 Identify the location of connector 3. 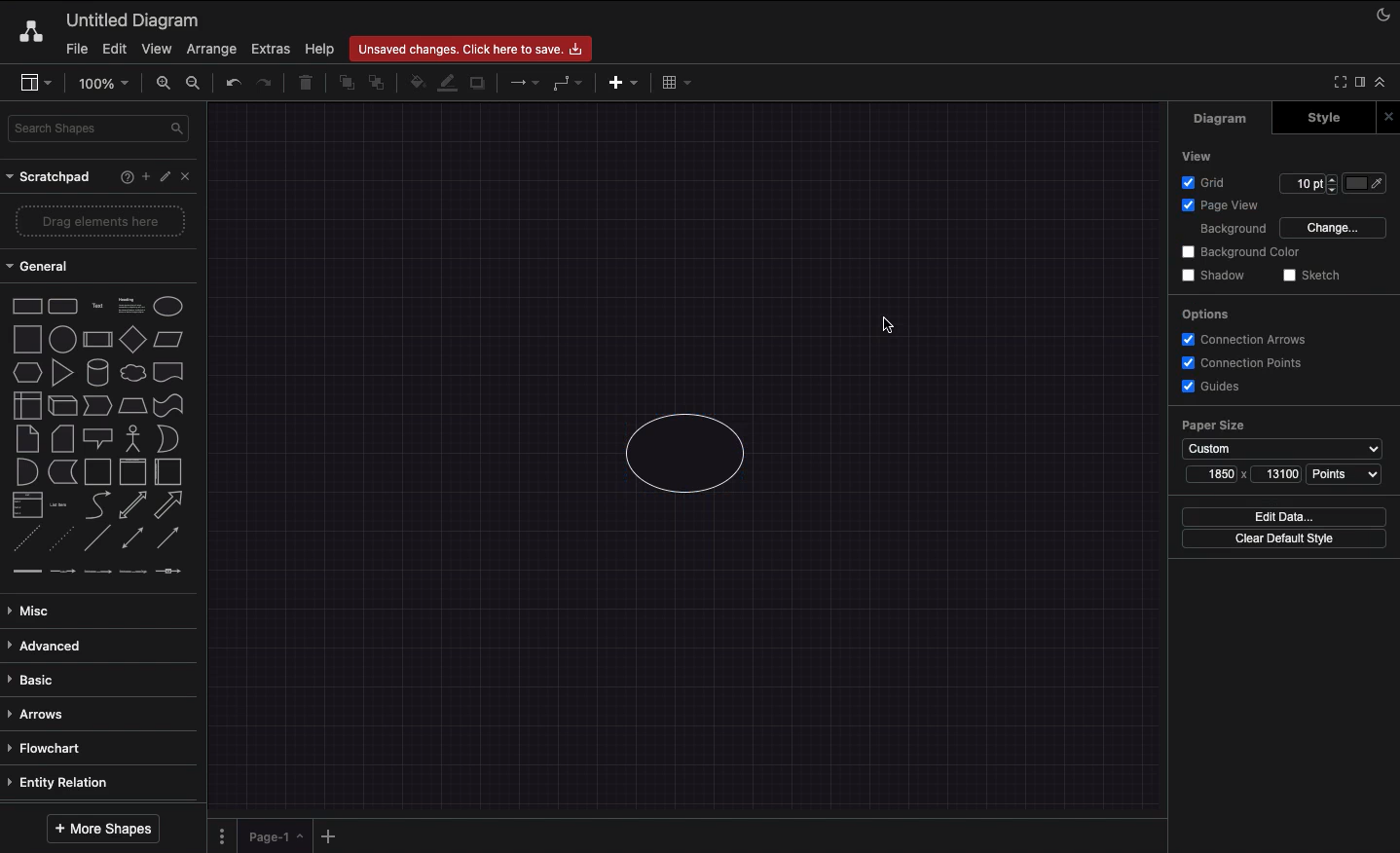
(95, 571).